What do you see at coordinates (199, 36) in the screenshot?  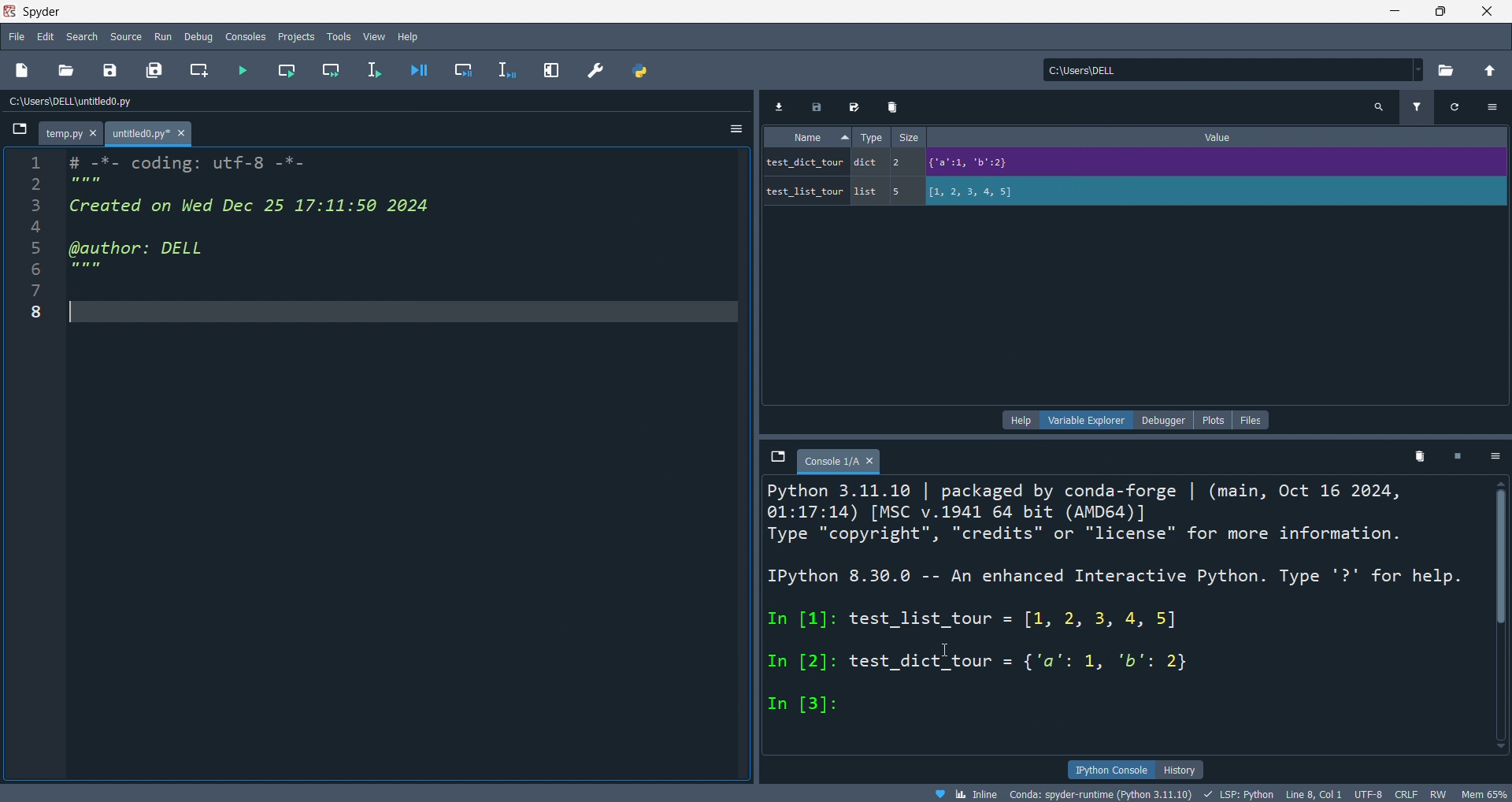 I see `debug` at bounding box center [199, 36].